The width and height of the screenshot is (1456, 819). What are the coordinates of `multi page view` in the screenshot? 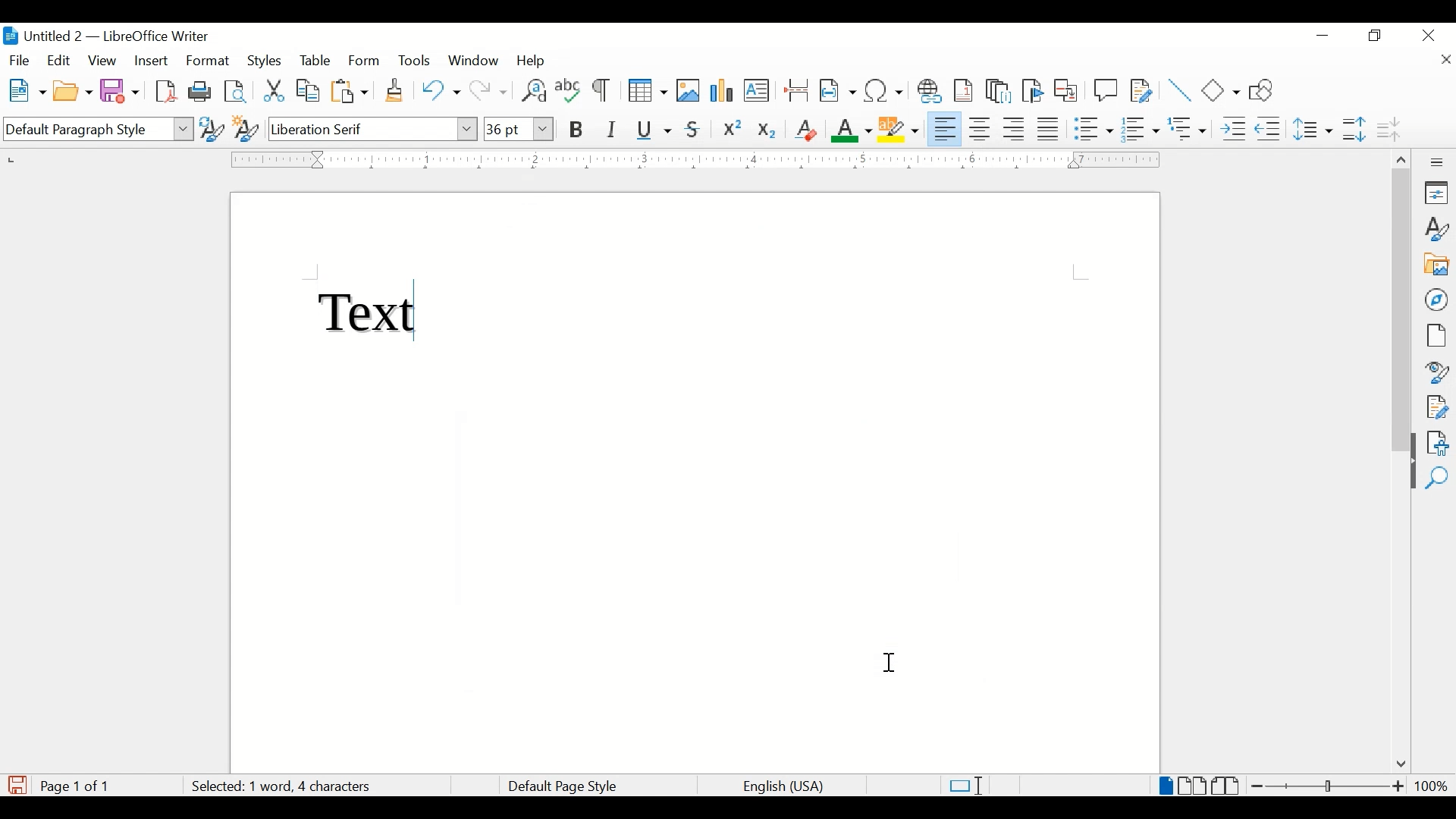 It's located at (1194, 786).